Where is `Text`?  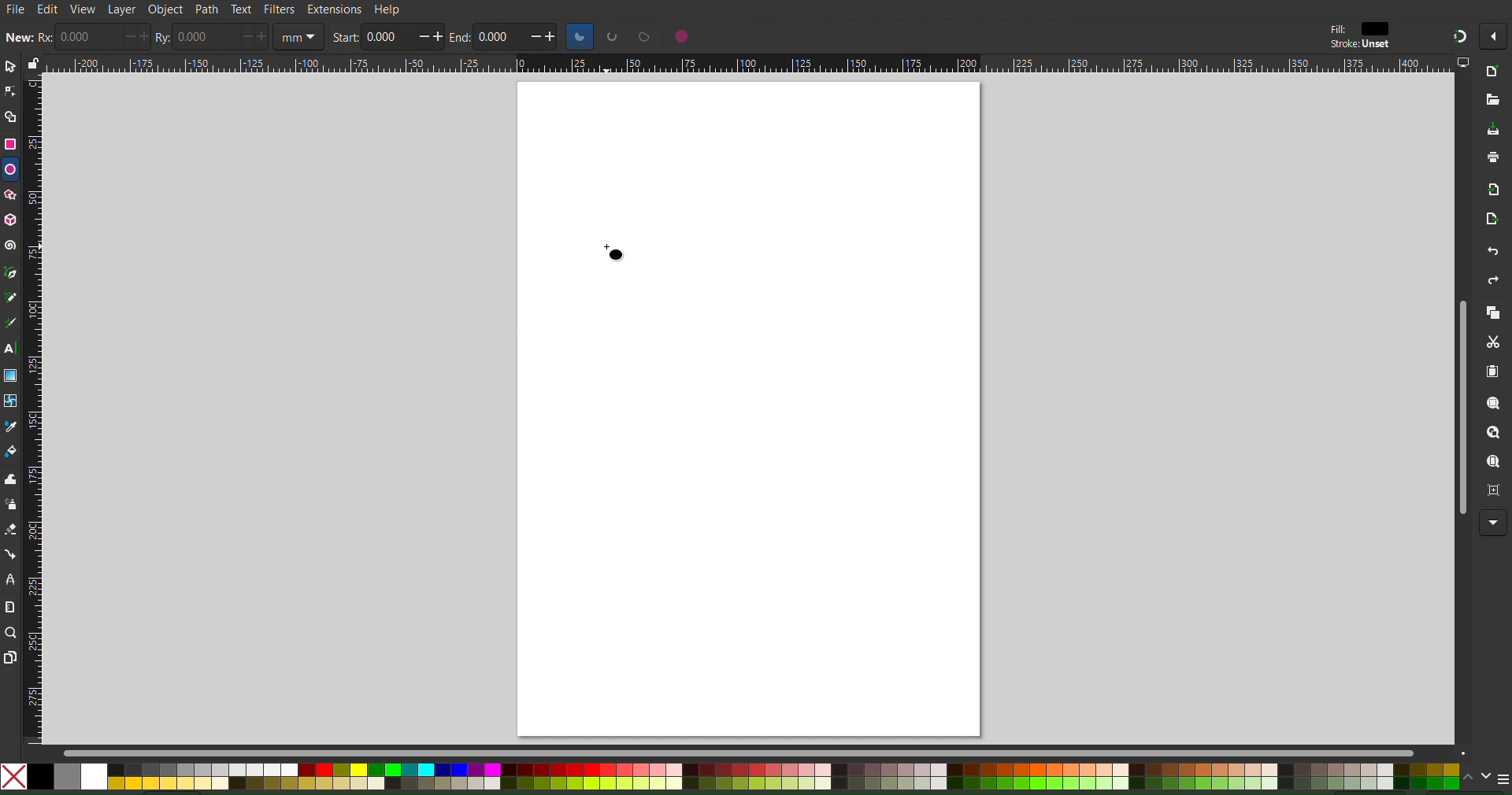
Text is located at coordinates (241, 9).